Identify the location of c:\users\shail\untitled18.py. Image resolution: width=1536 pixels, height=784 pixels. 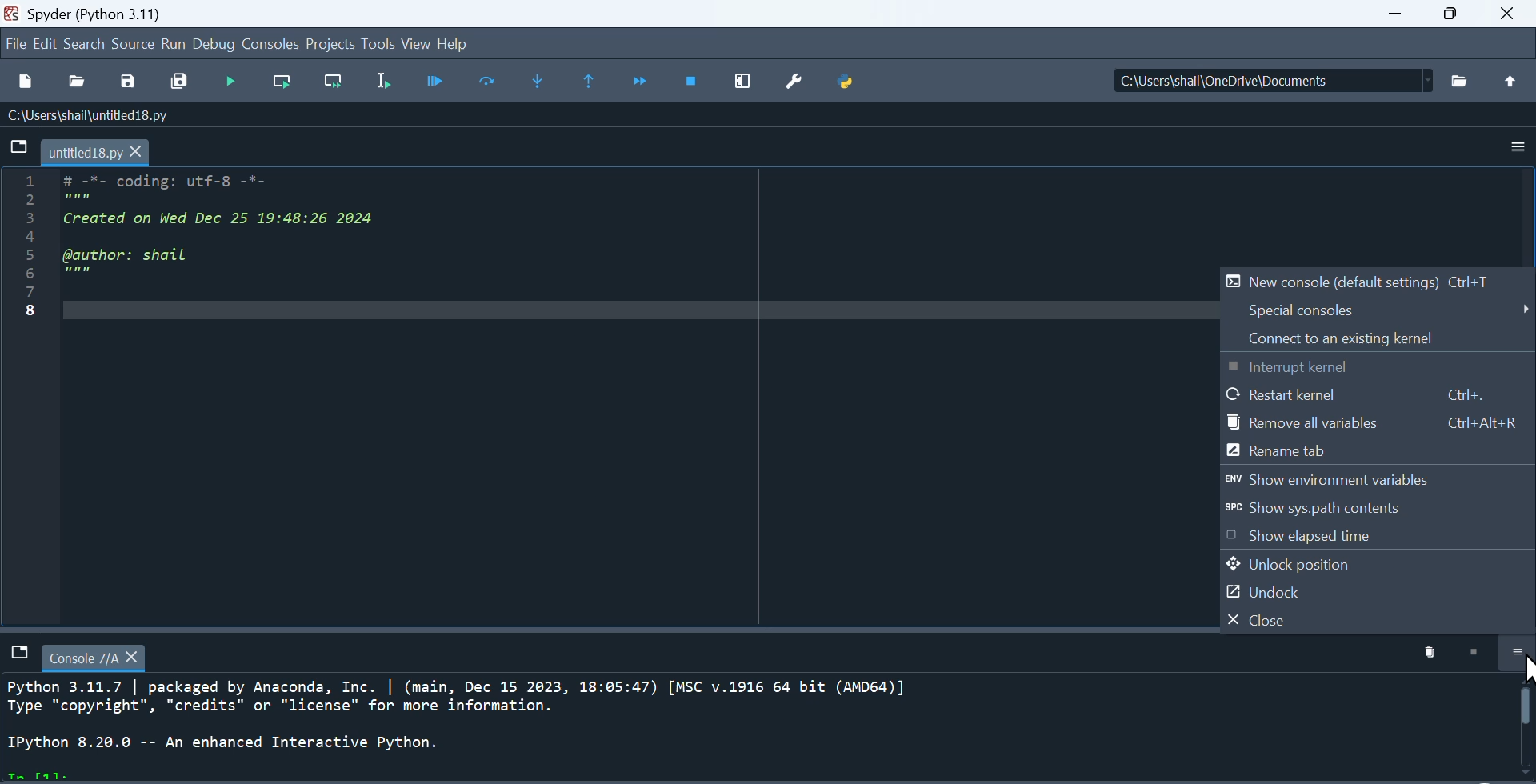
(98, 117).